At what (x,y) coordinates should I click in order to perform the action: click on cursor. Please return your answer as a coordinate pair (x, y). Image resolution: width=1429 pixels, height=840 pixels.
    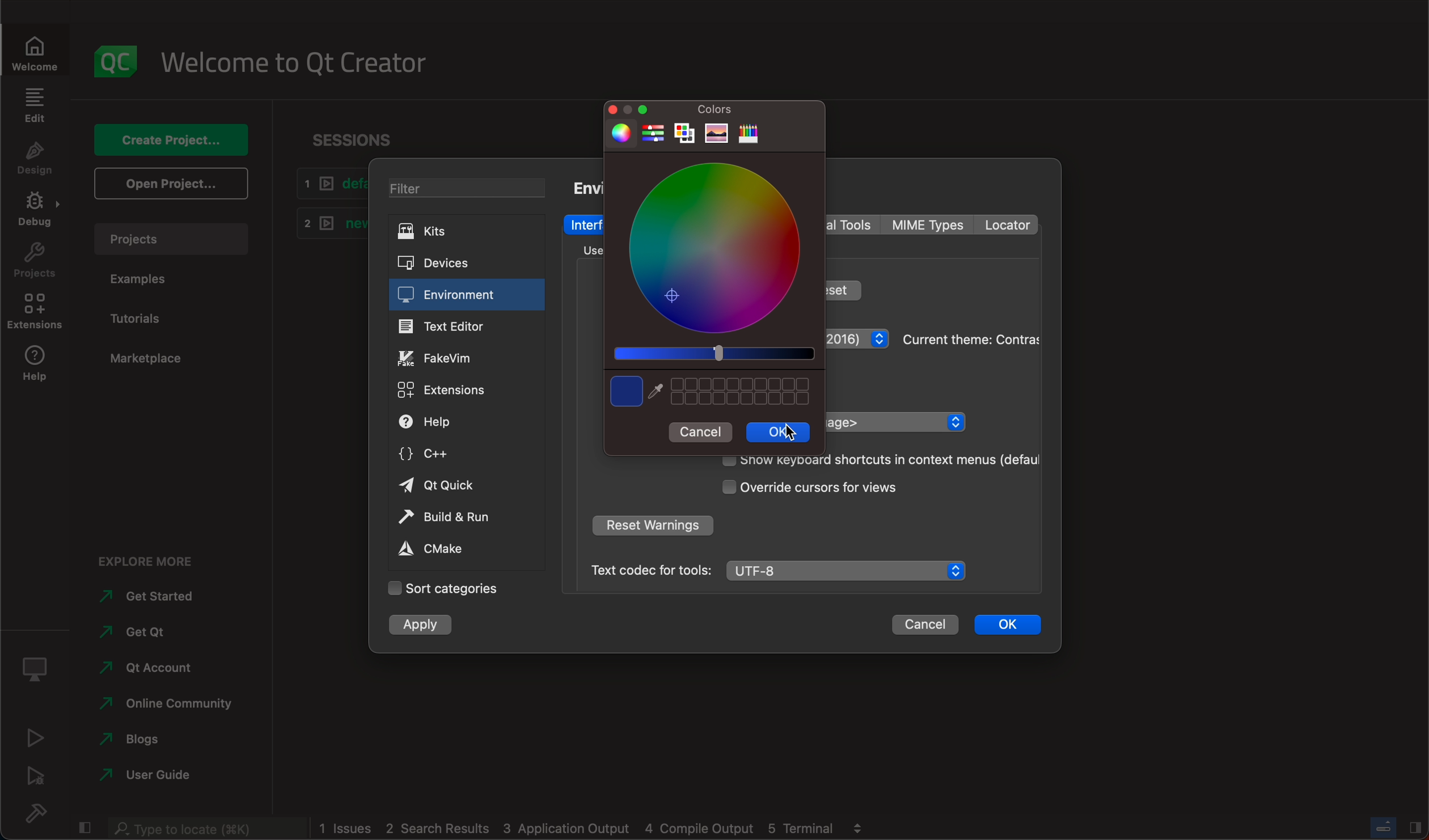
    Looking at the image, I should click on (788, 434).